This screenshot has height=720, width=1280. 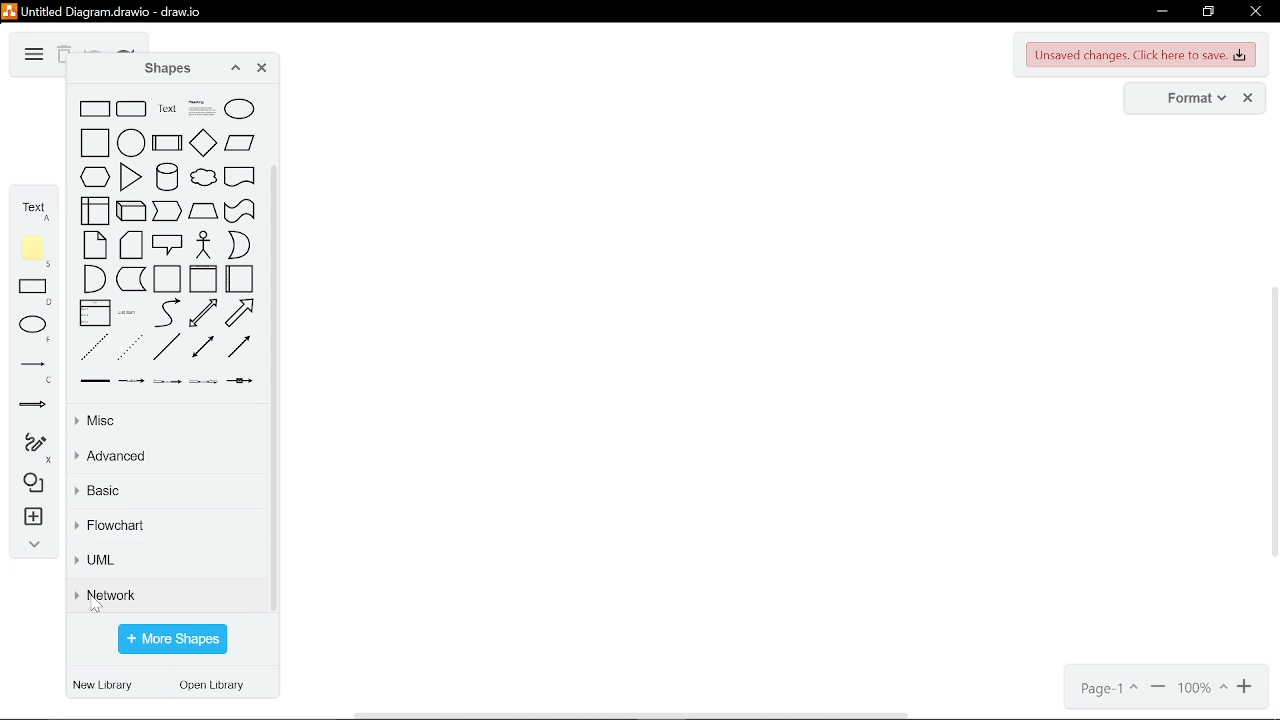 I want to click on open library, so click(x=217, y=687).